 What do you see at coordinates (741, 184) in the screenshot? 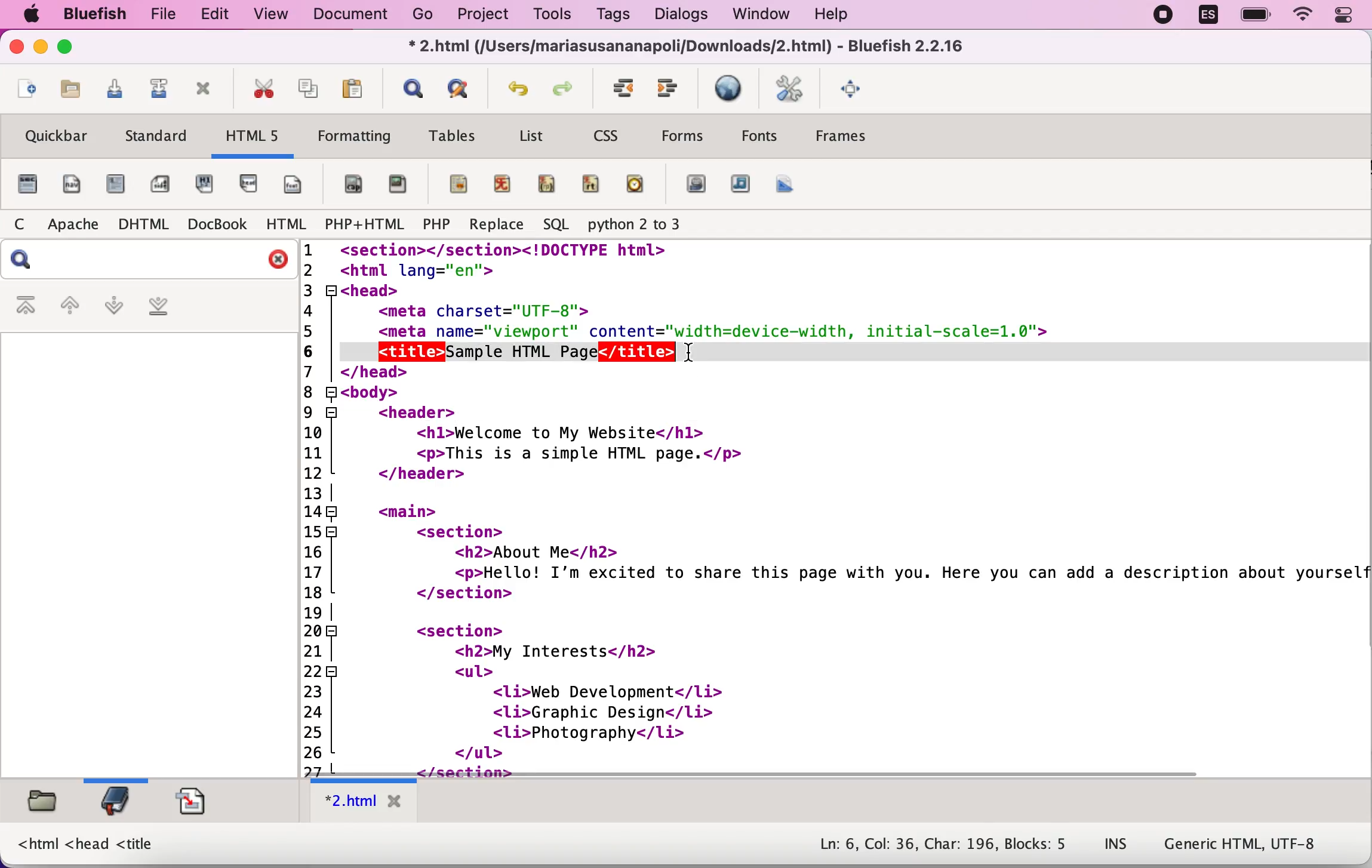
I see `audio` at bounding box center [741, 184].